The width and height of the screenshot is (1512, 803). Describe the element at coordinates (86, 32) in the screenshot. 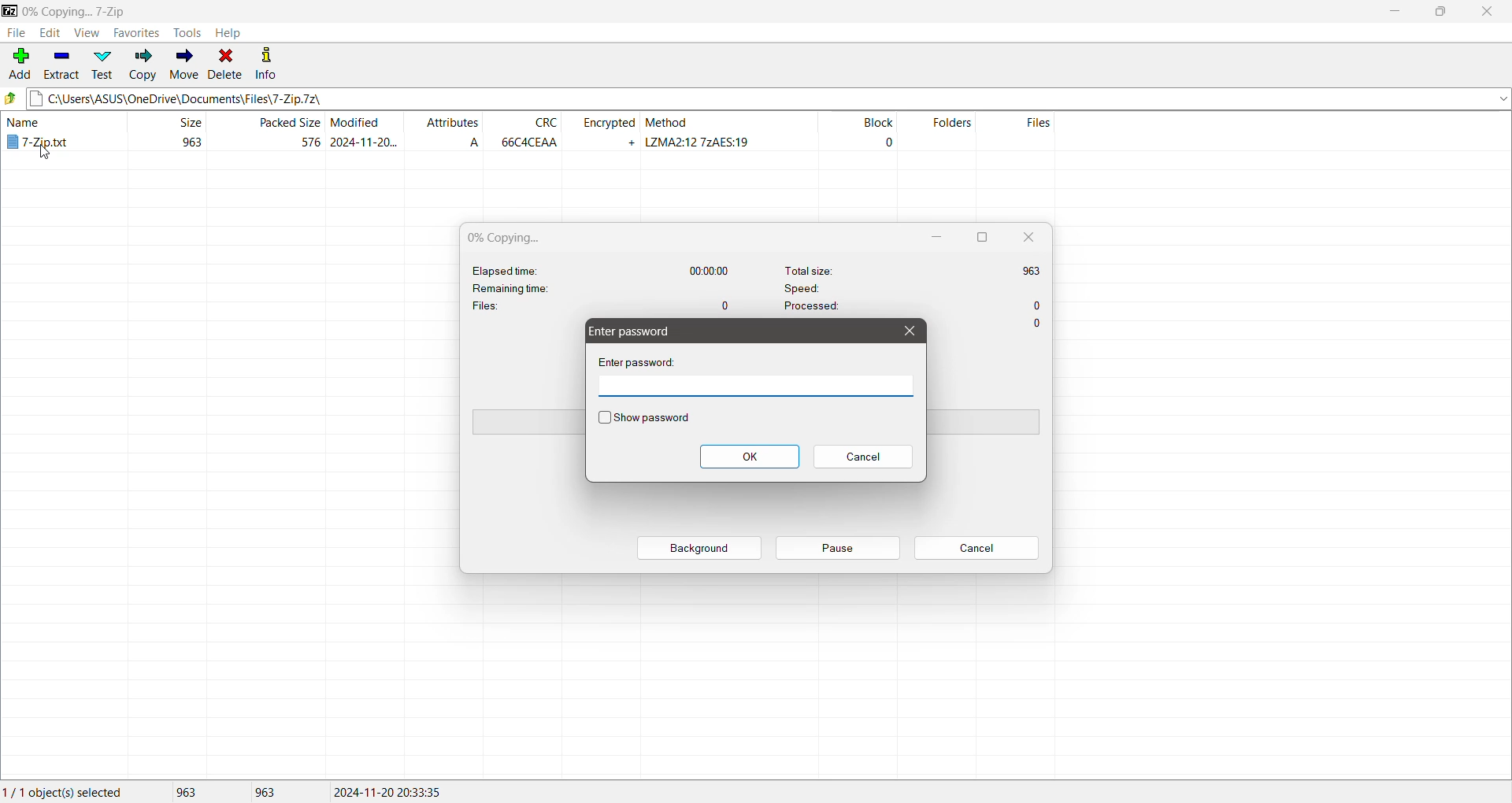

I see `View` at that location.